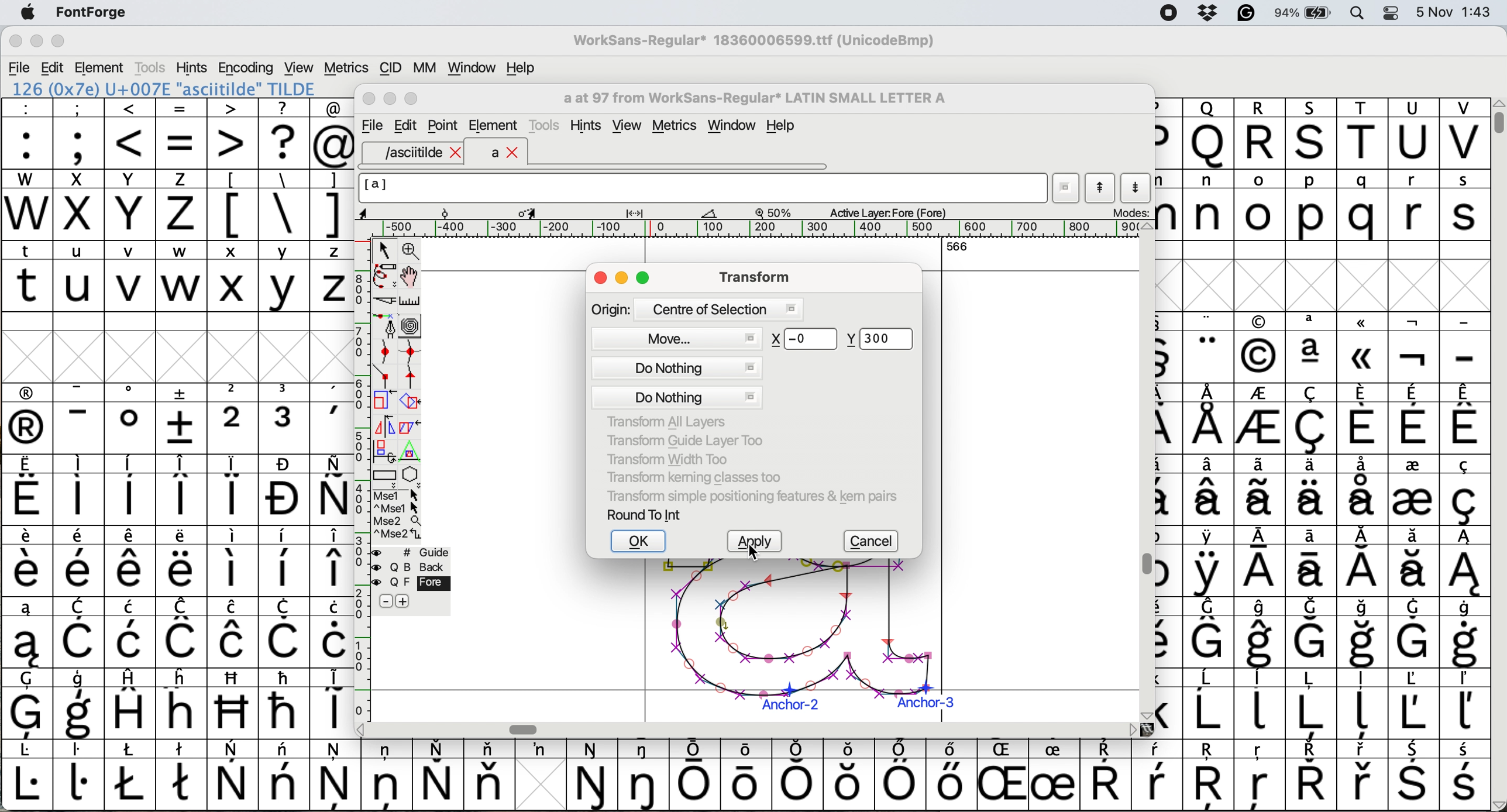 This screenshot has height=812, width=1507. Describe the element at coordinates (132, 562) in the screenshot. I see `symbol` at that location.